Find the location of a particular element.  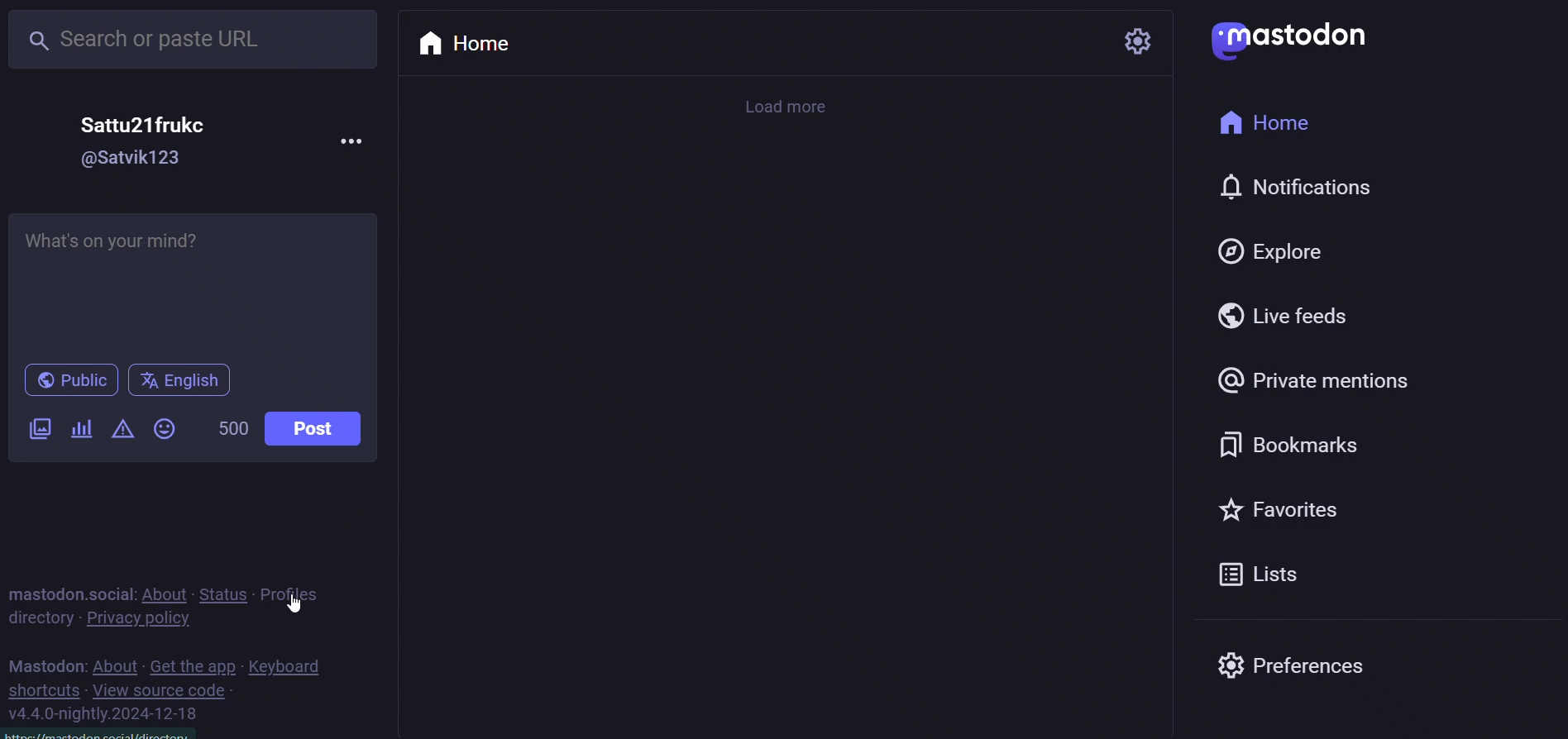

search is located at coordinates (196, 38).